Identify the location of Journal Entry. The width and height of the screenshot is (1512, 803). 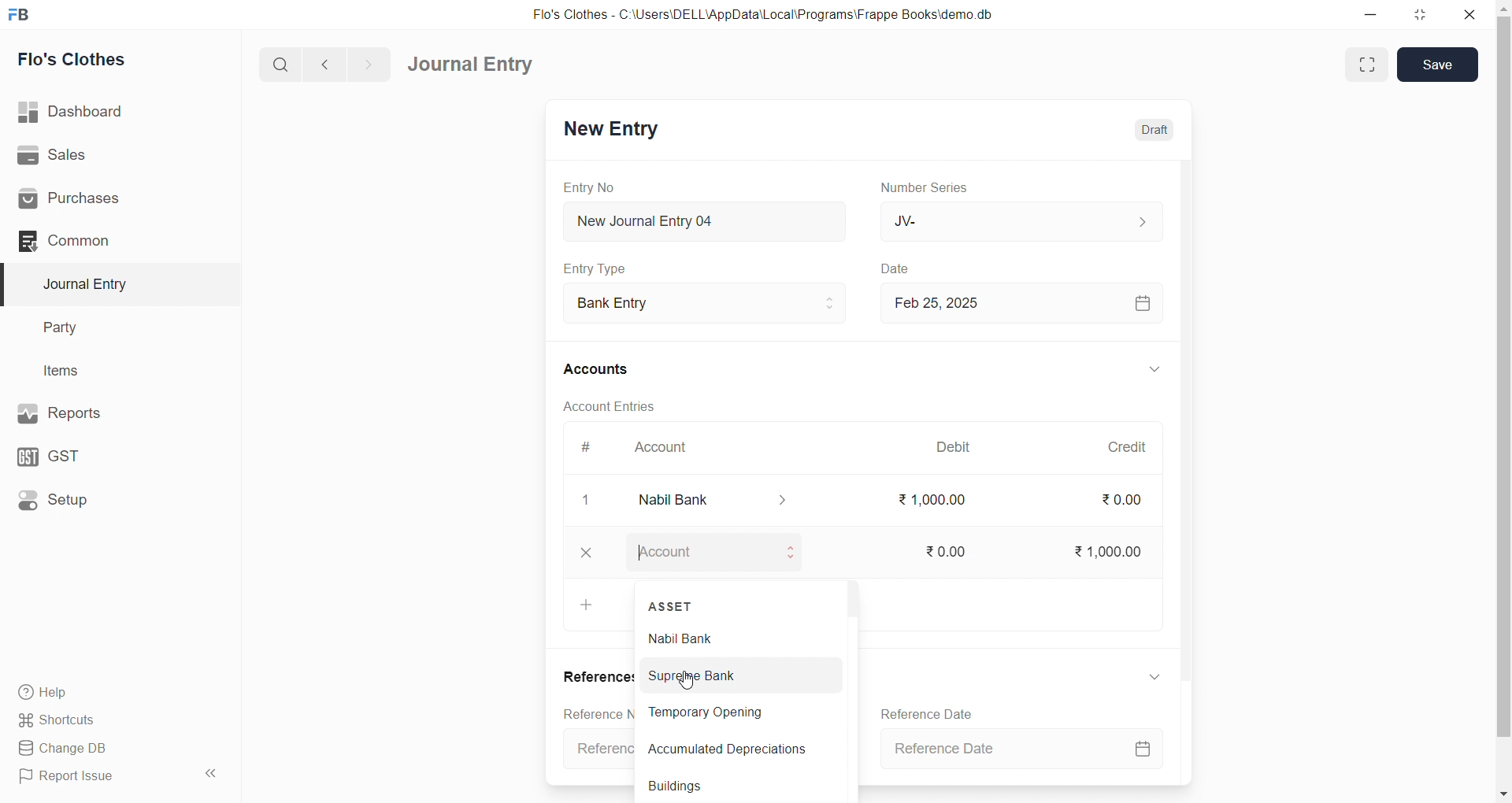
(112, 284).